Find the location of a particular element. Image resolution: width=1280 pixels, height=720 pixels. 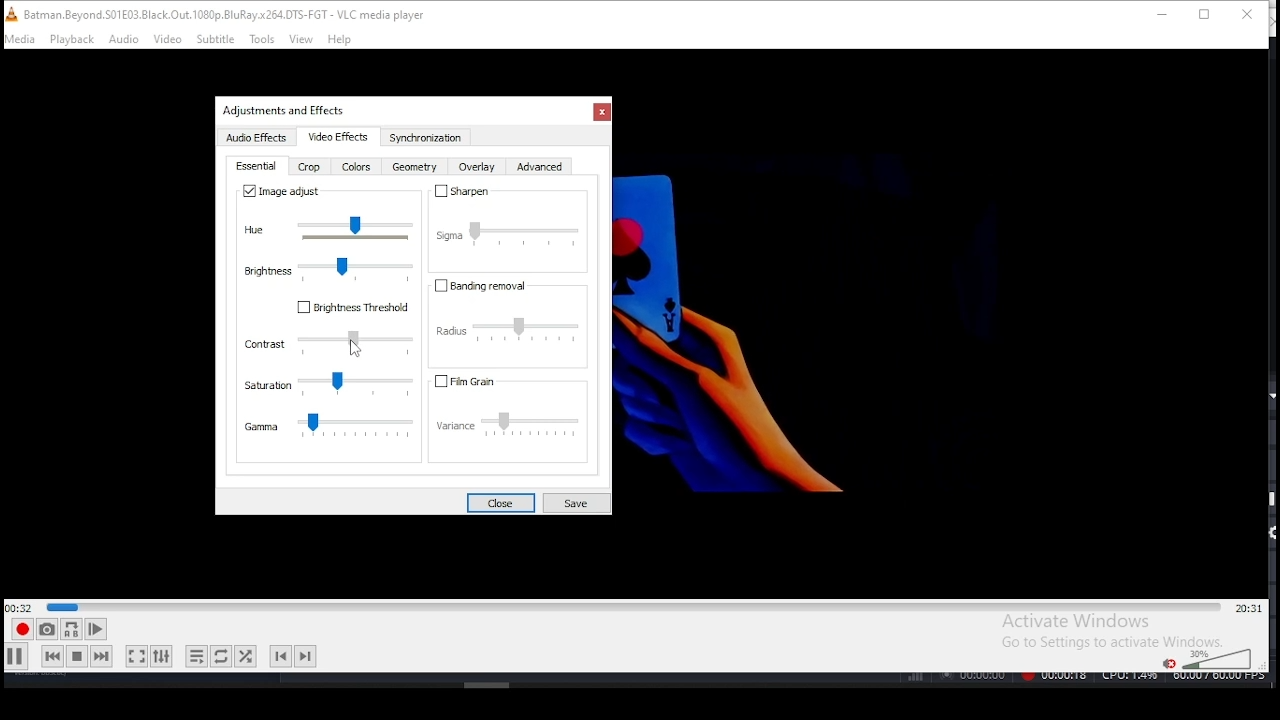

toggle fullscreen is located at coordinates (137, 658).